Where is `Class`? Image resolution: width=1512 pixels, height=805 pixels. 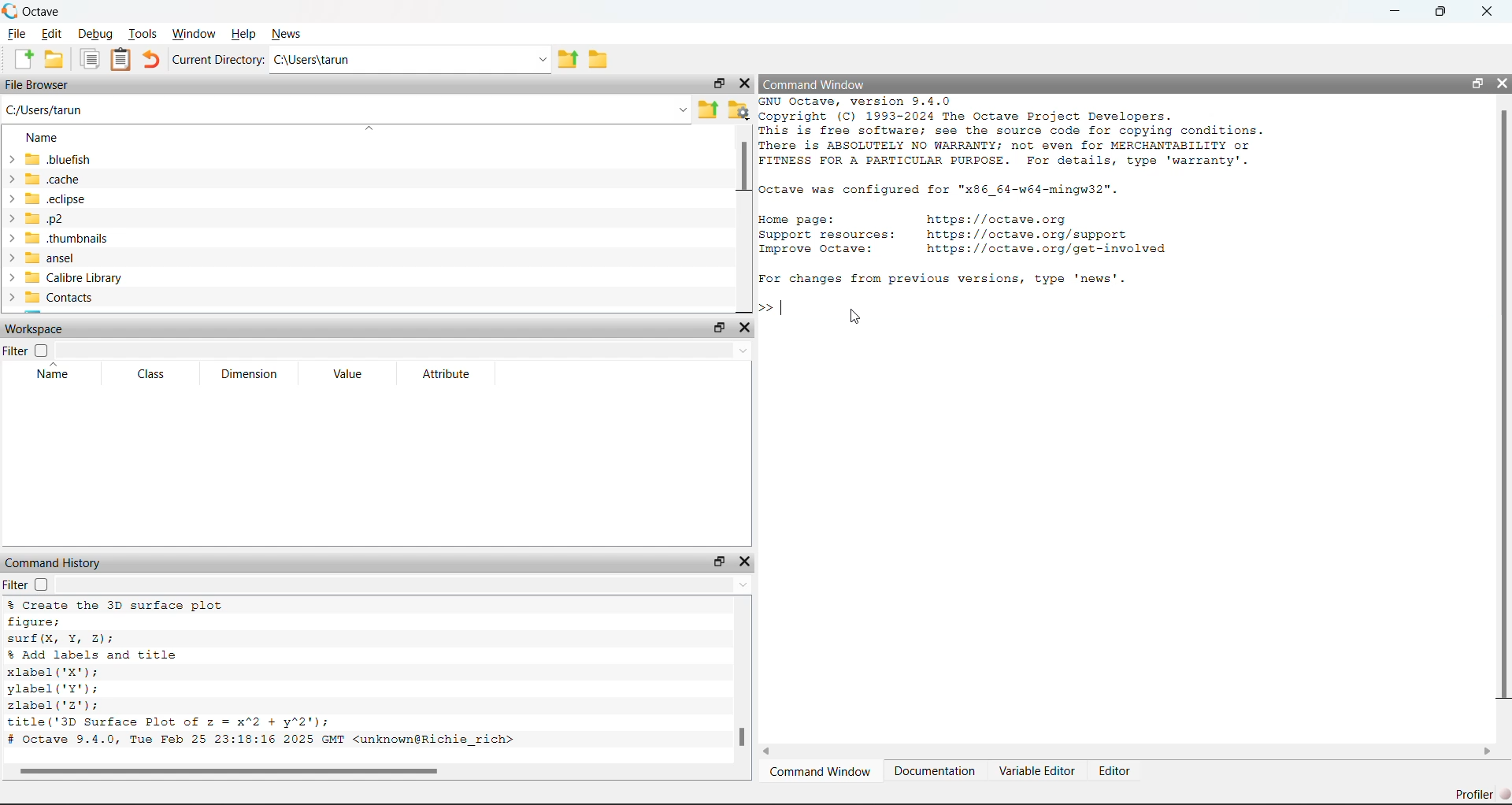 Class is located at coordinates (152, 374).